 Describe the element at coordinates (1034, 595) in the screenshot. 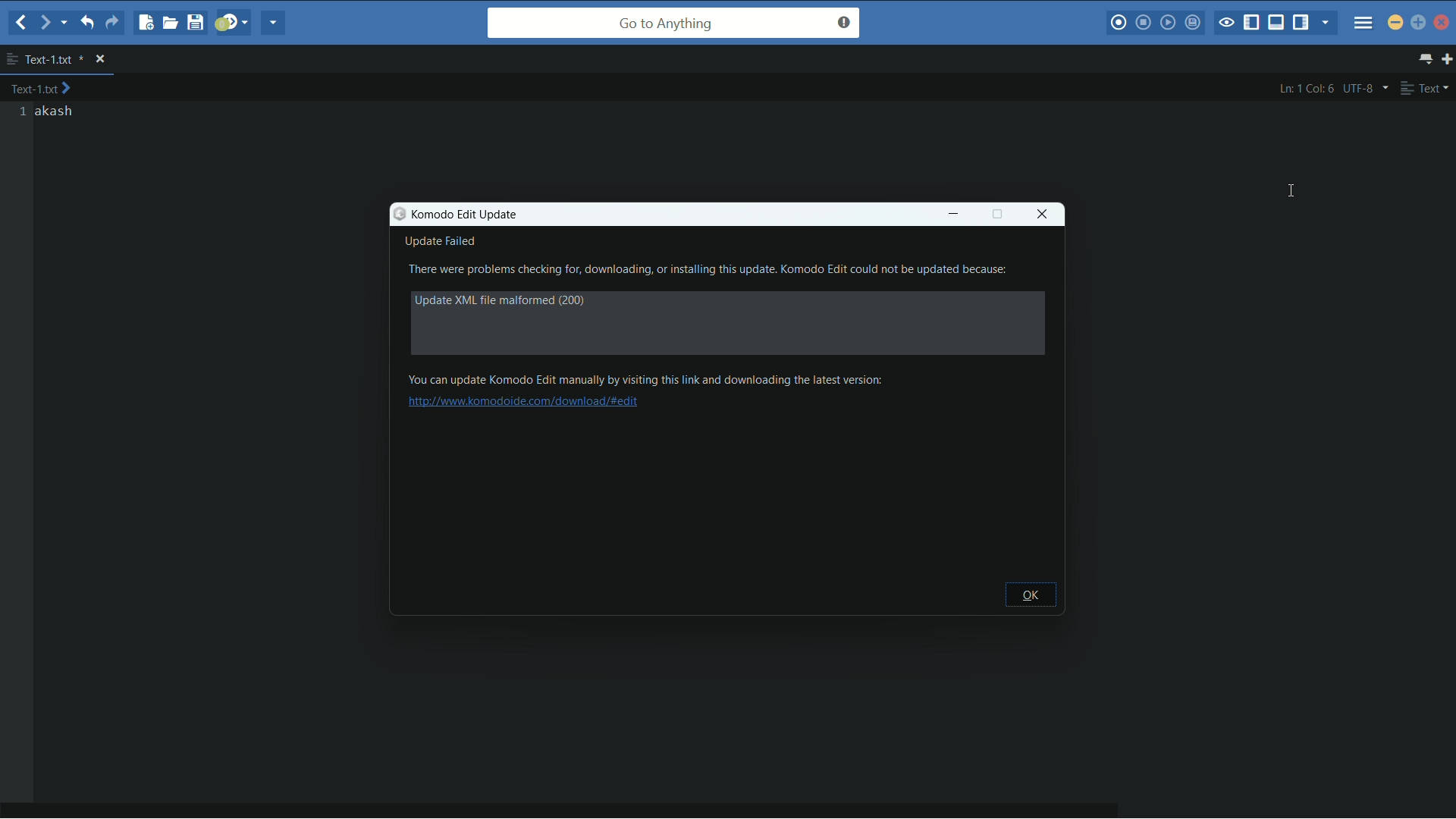

I see `ok` at that location.